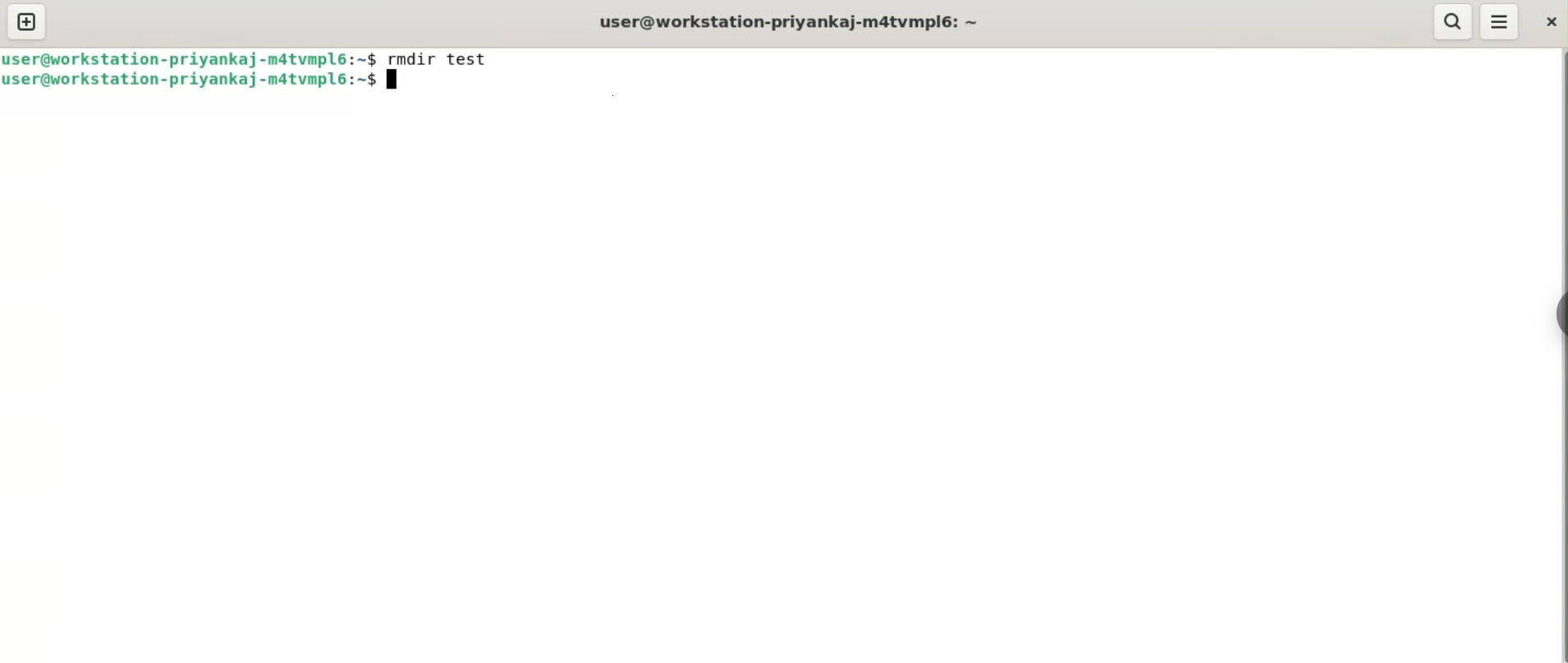  I want to click on user@workstation-priyankaj-m4tvmpl6: ~, so click(798, 21).